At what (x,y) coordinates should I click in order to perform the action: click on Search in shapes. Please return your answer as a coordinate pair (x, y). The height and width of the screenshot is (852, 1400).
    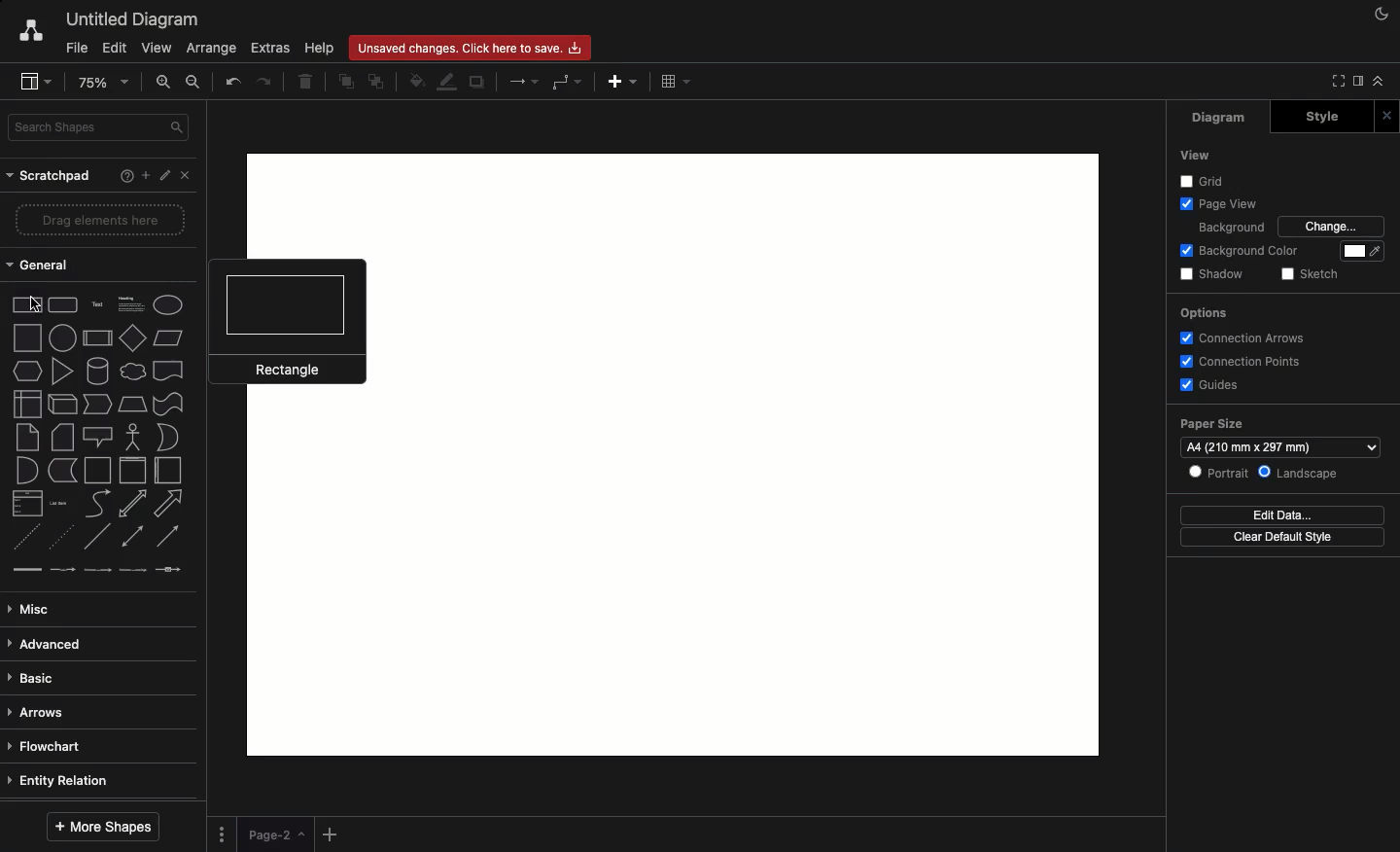
    Looking at the image, I should click on (102, 126).